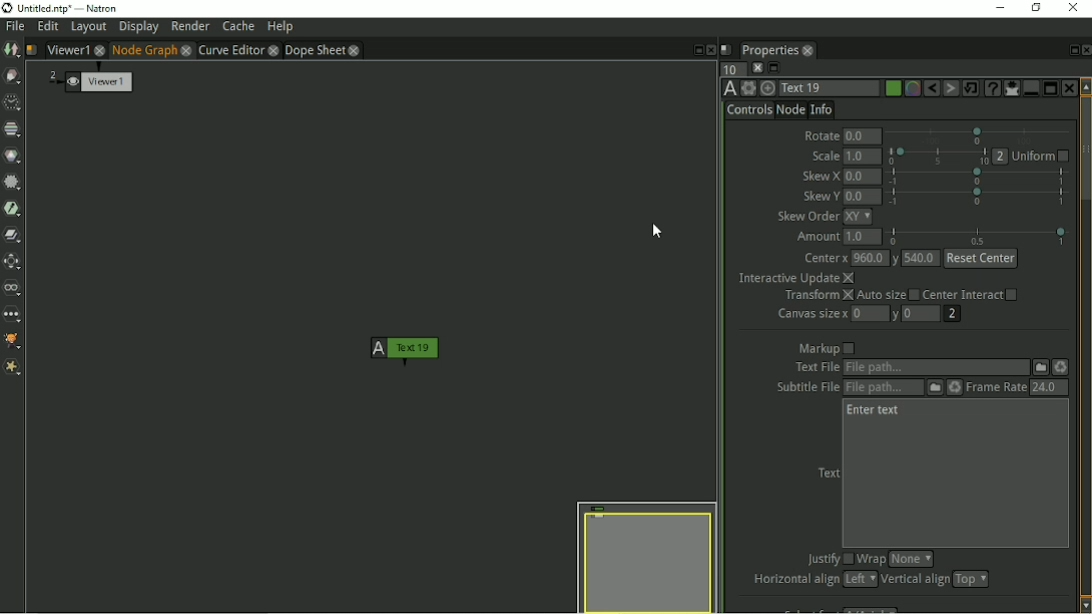 Image resolution: width=1092 pixels, height=614 pixels. Describe the element at coordinates (831, 88) in the screenshot. I see `Text 1` at that location.